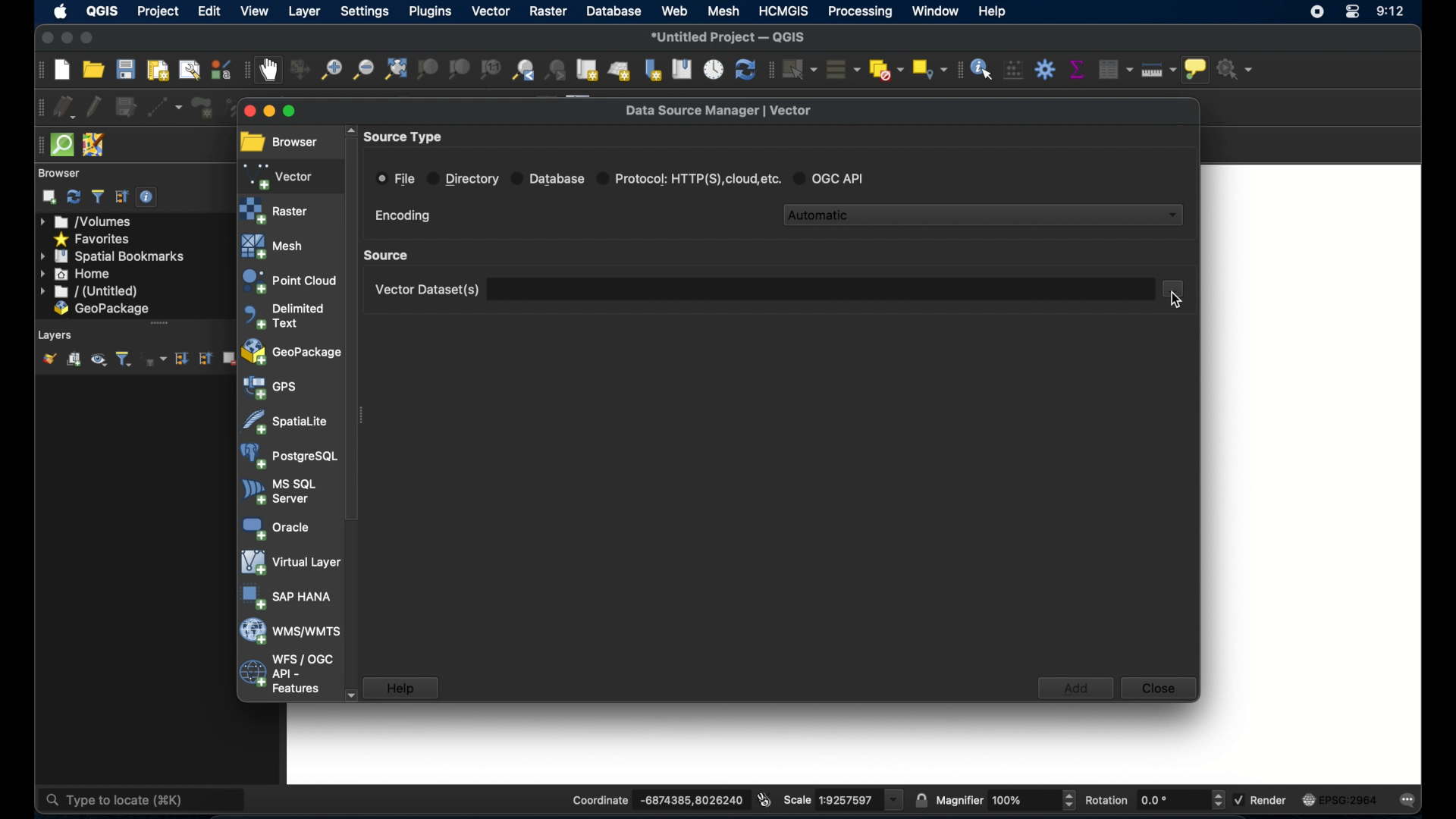 The width and height of the screenshot is (1456, 819). I want to click on project, so click(158, 11).